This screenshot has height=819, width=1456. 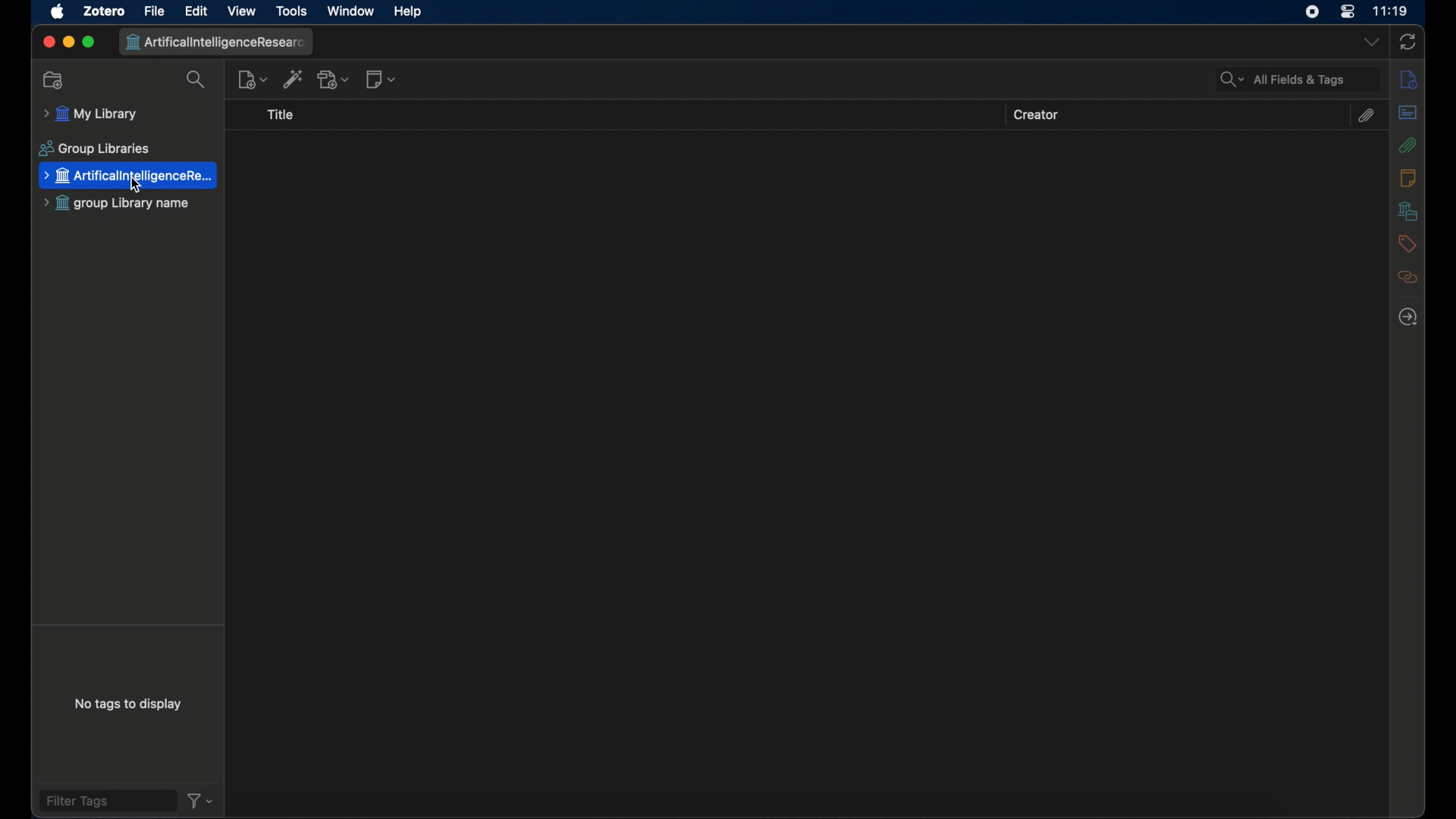 I want to click on abstract, so click(x=1407, y=112).